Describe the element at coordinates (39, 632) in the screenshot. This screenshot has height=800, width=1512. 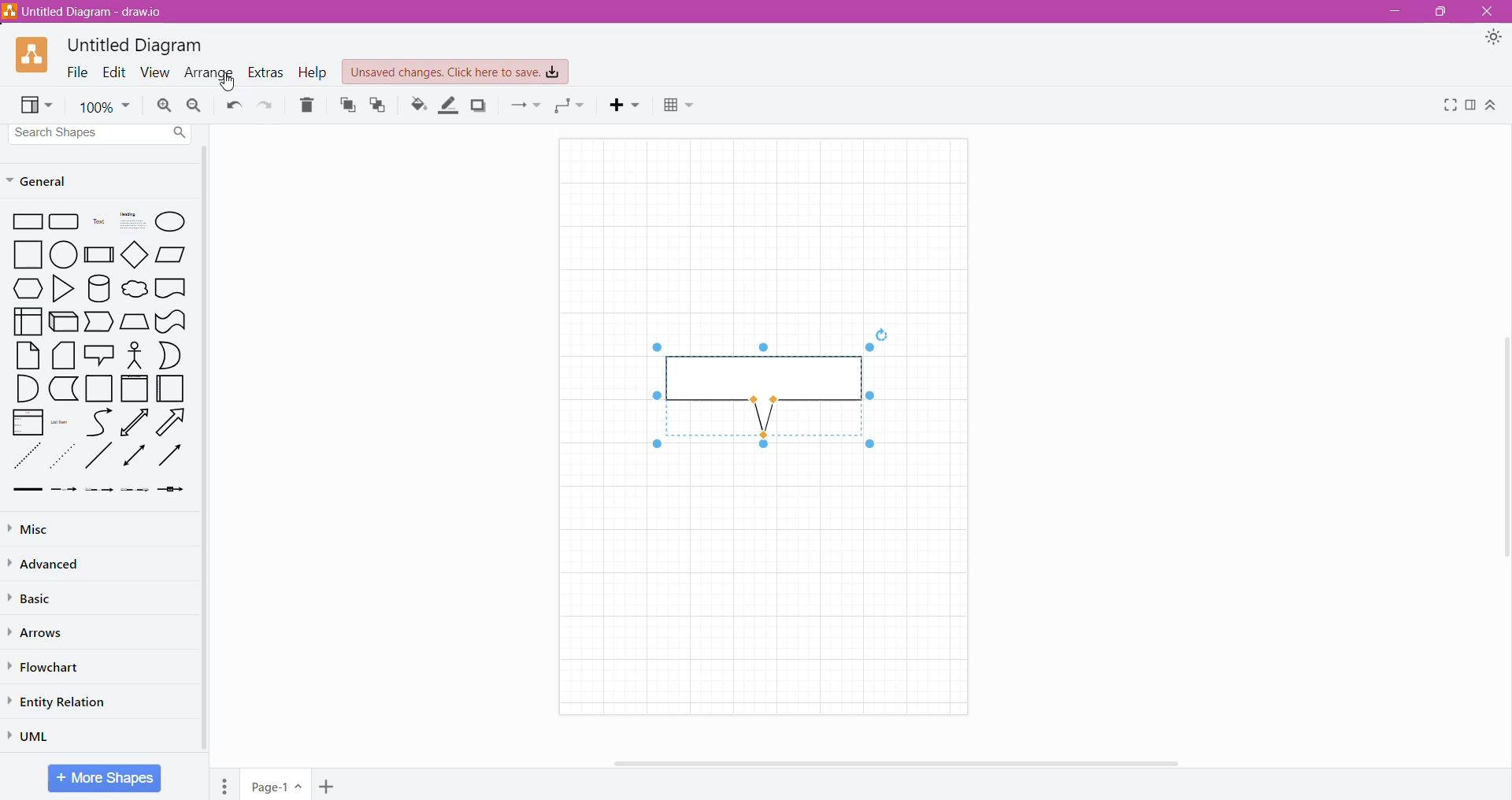
I see `Arrows` at that location.